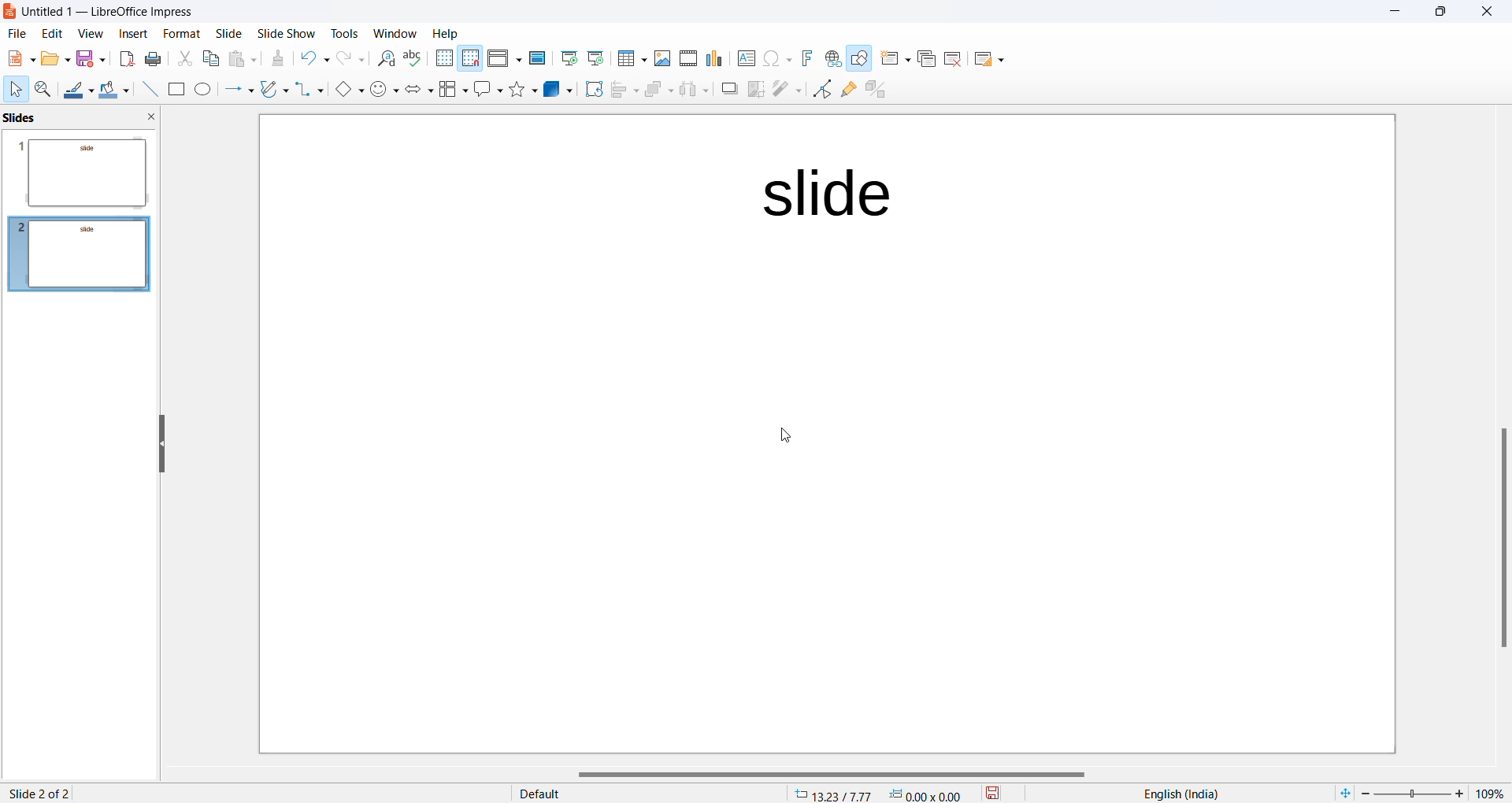 This screenshot has width=1512, height=803. Describe the element at coordinates (621, 91) in the screenshot. I see `Align` at that location.